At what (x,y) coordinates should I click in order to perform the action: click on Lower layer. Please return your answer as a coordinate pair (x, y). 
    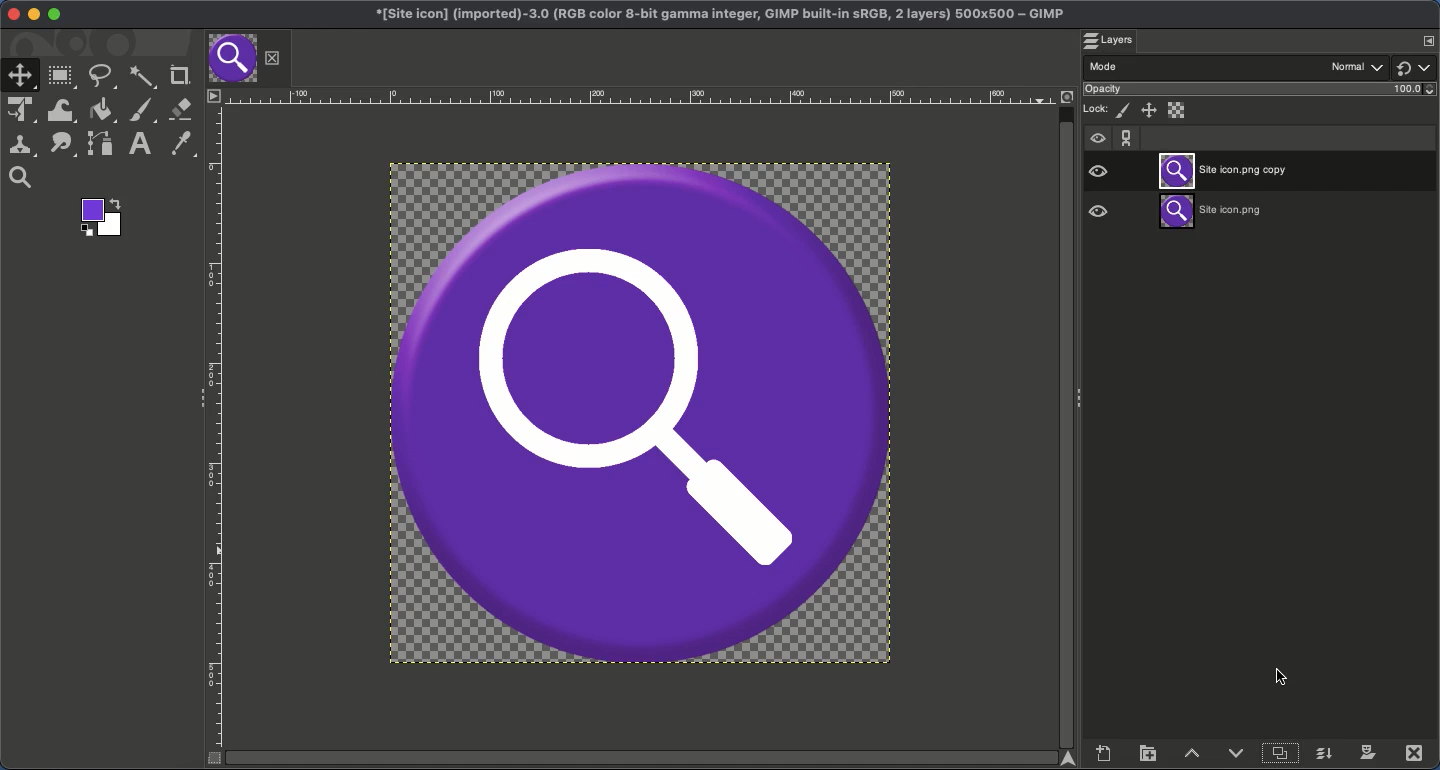
    Looking at the image, I should click on (1238, 749).